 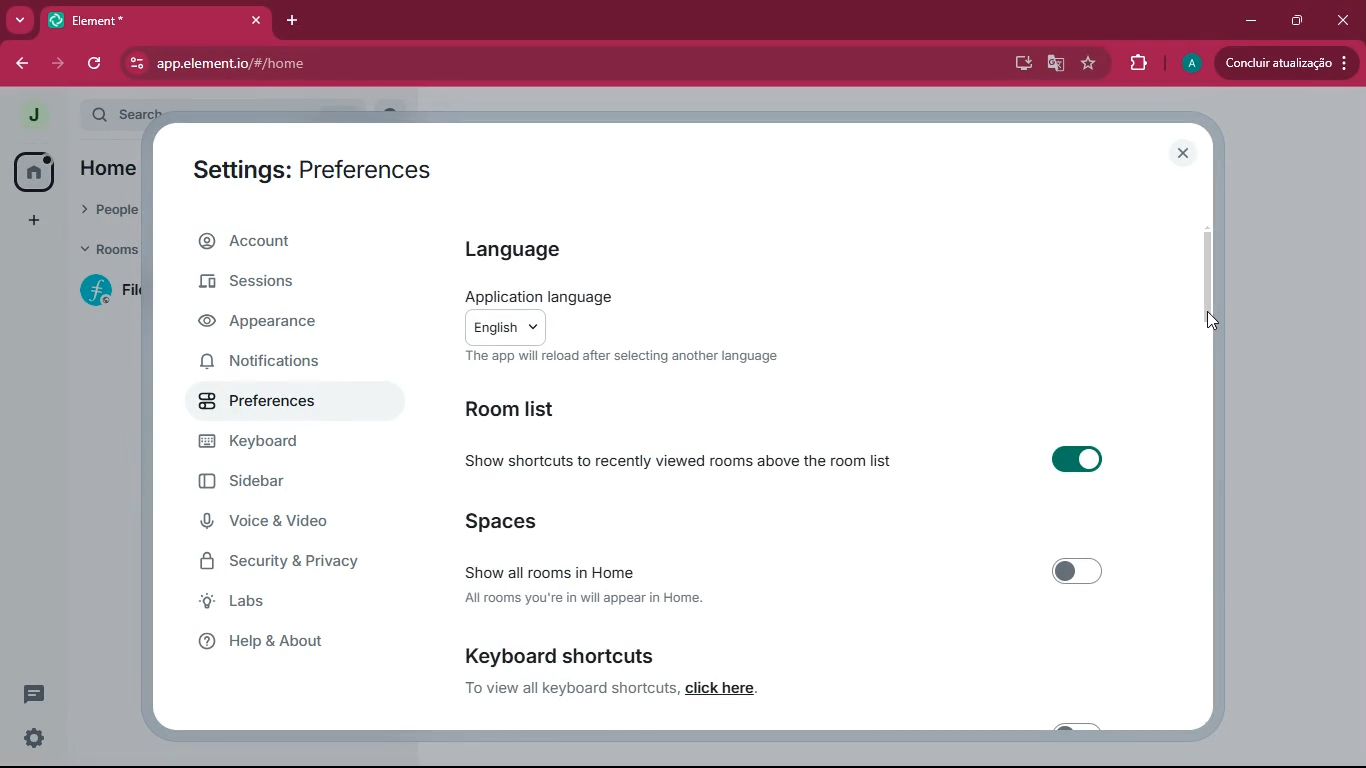 I want to click on scroll bar, so click(x=1213, y=285).